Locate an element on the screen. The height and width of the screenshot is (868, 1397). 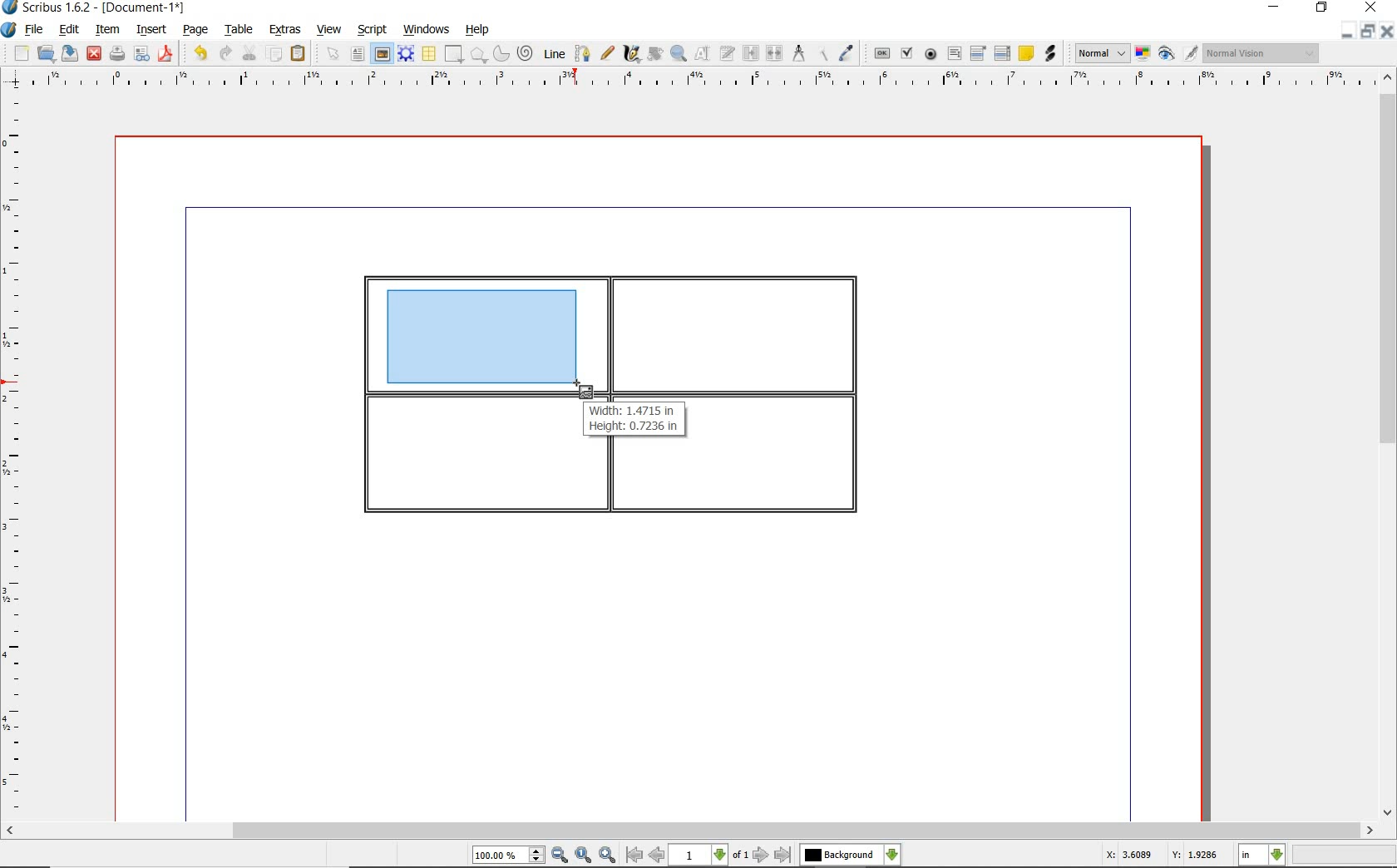
help is located at coordinates (477, 30).